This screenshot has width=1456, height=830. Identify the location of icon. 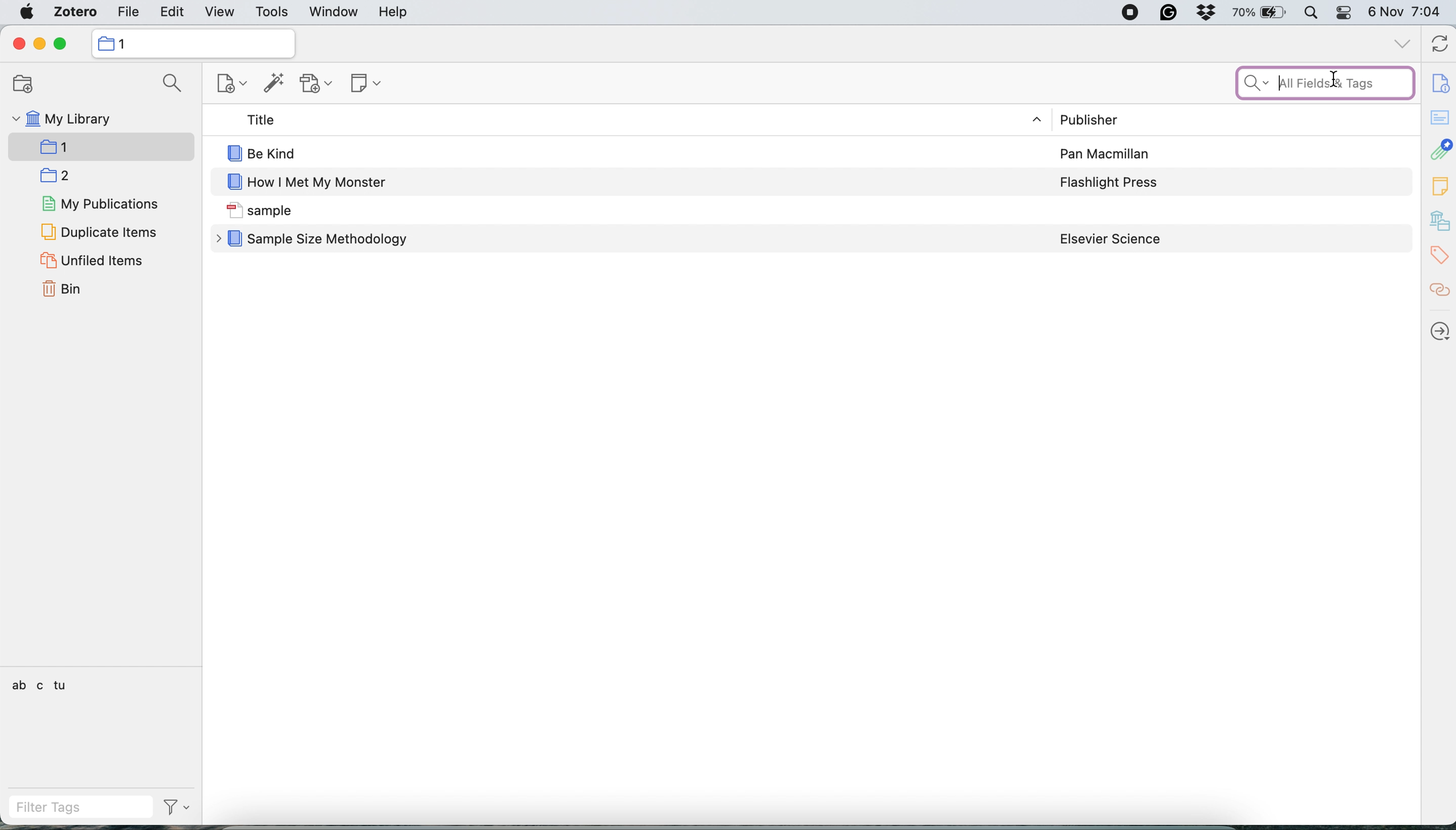
(233, 153).